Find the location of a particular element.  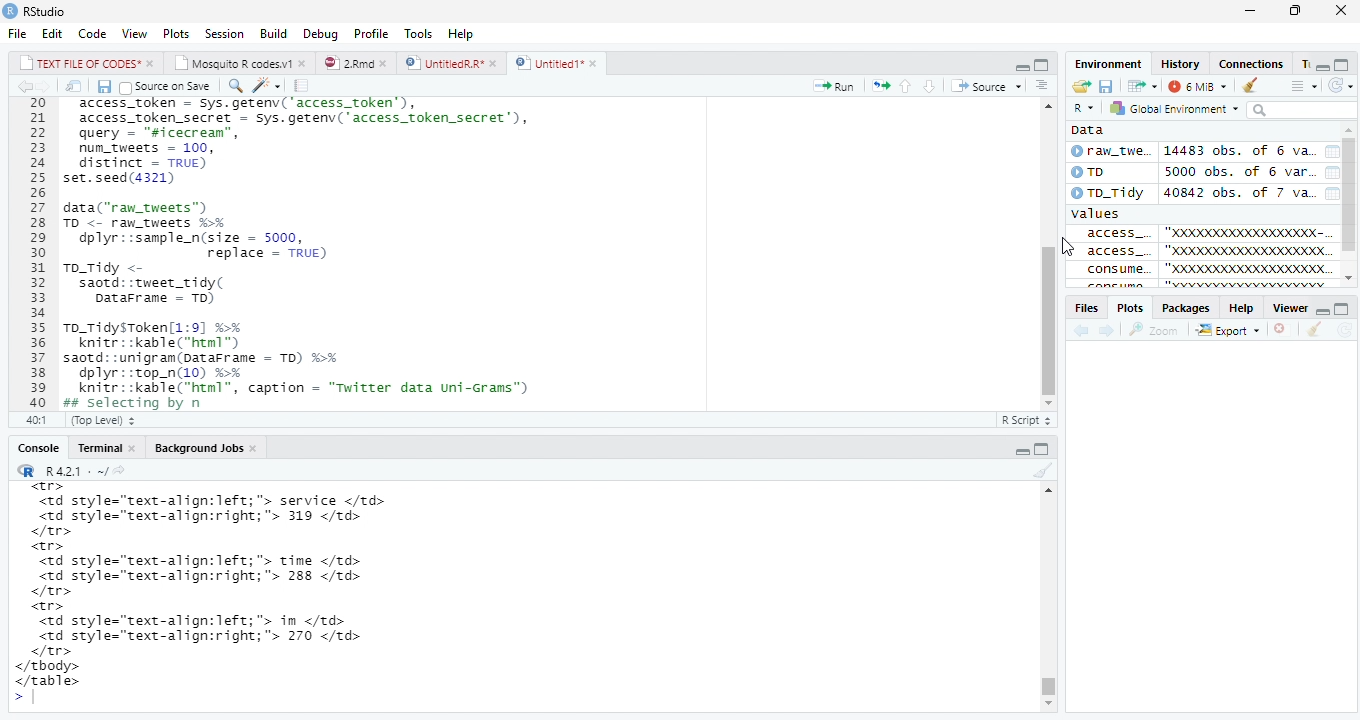

Scrollbar is located at coordinates (1050, 603).